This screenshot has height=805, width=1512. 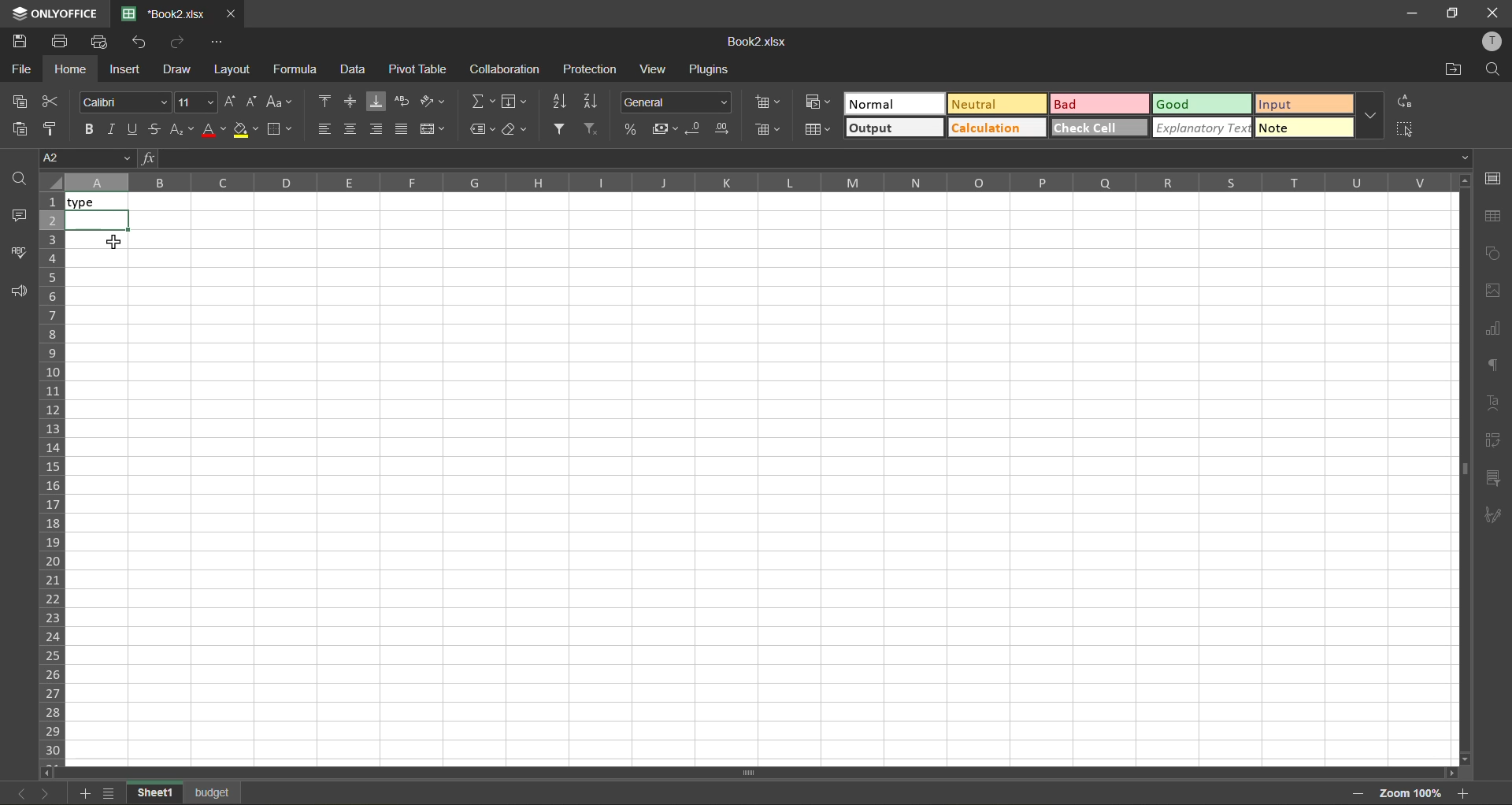 What do you see at coordinates (1493, 441) in the screenshot?
I see `pivot table` at bounding box center [1493, 441].